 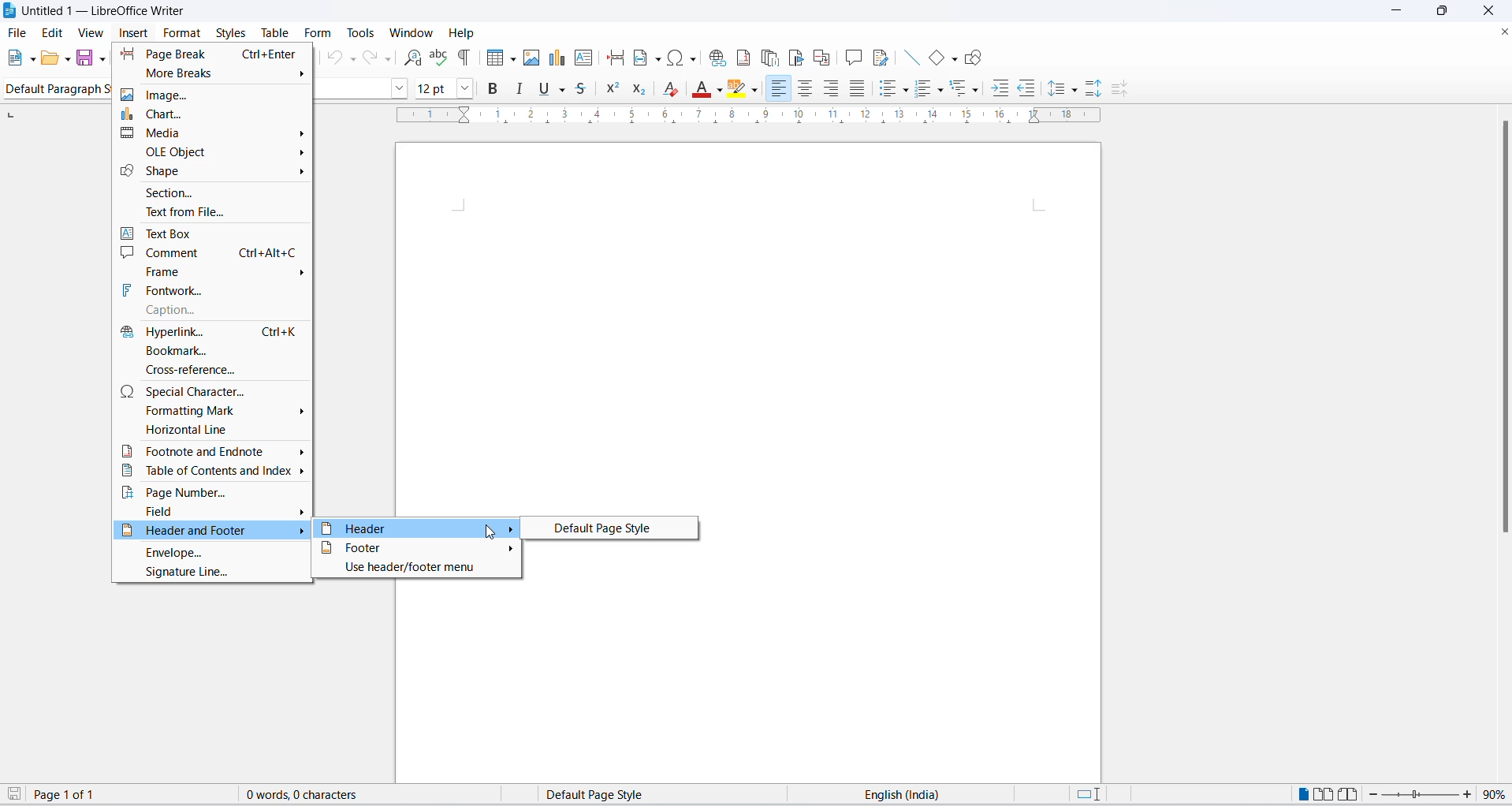 What do you see at coordinates (208, 370) in the screenshot?
I see `cross-reference` at bounding box center [208, 370].